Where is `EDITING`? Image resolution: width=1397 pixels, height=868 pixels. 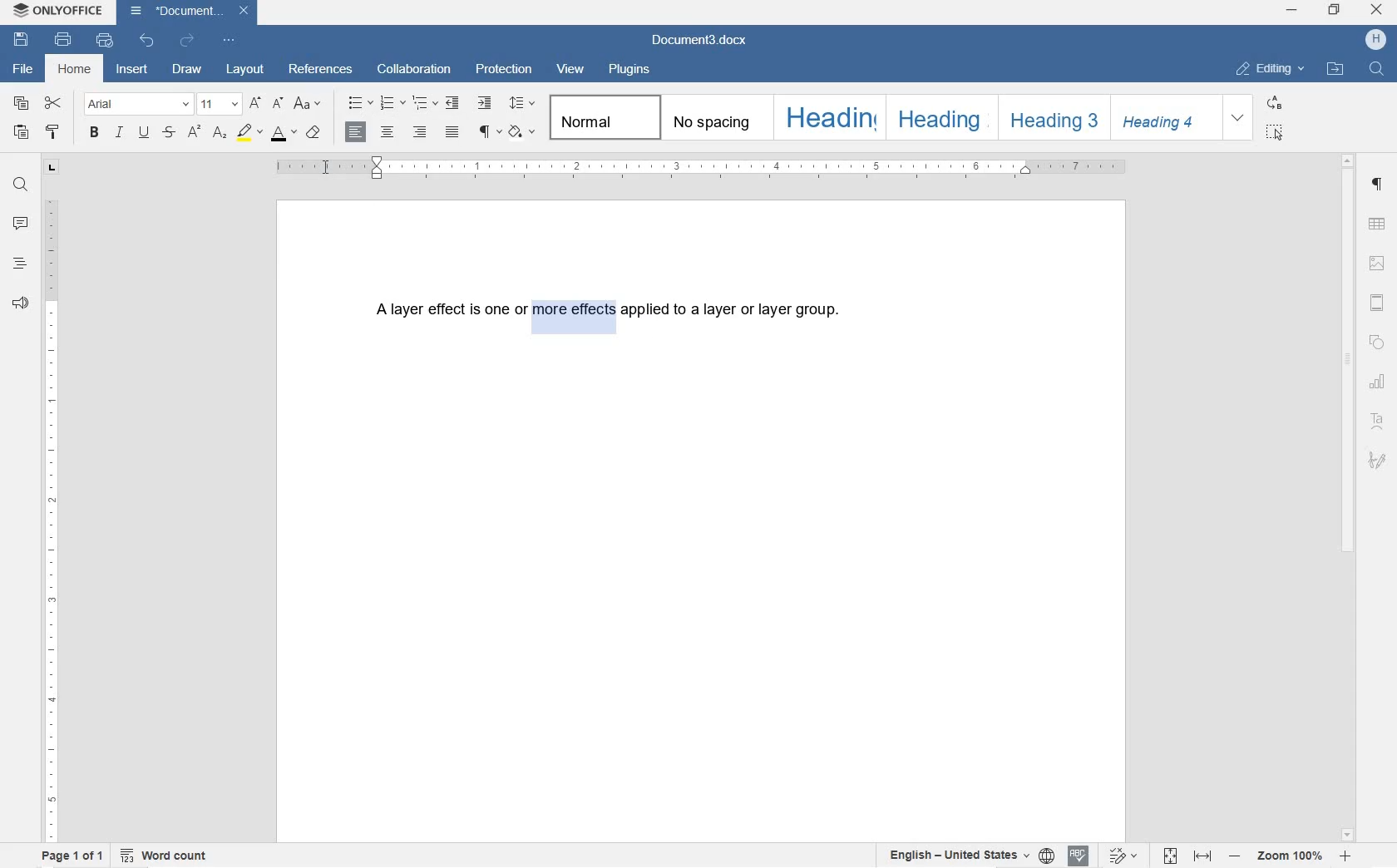 EDITING is located at coordinates (1271, 65).